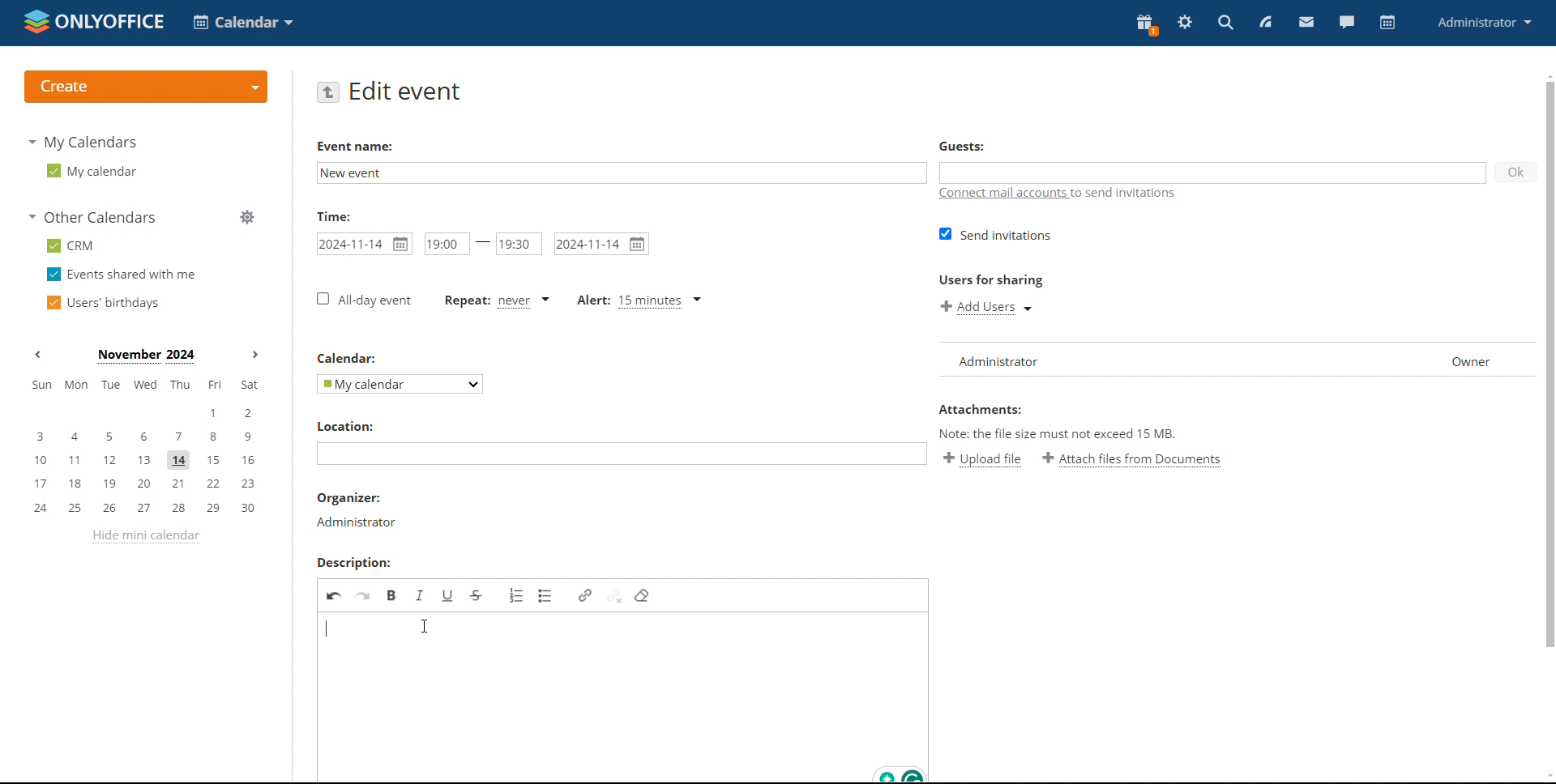 Image resolution: width=1556 pixels, height=784 pixels. Describe the element at coordinates (979, 409) in the screenshot. I see `attachment` at that location.